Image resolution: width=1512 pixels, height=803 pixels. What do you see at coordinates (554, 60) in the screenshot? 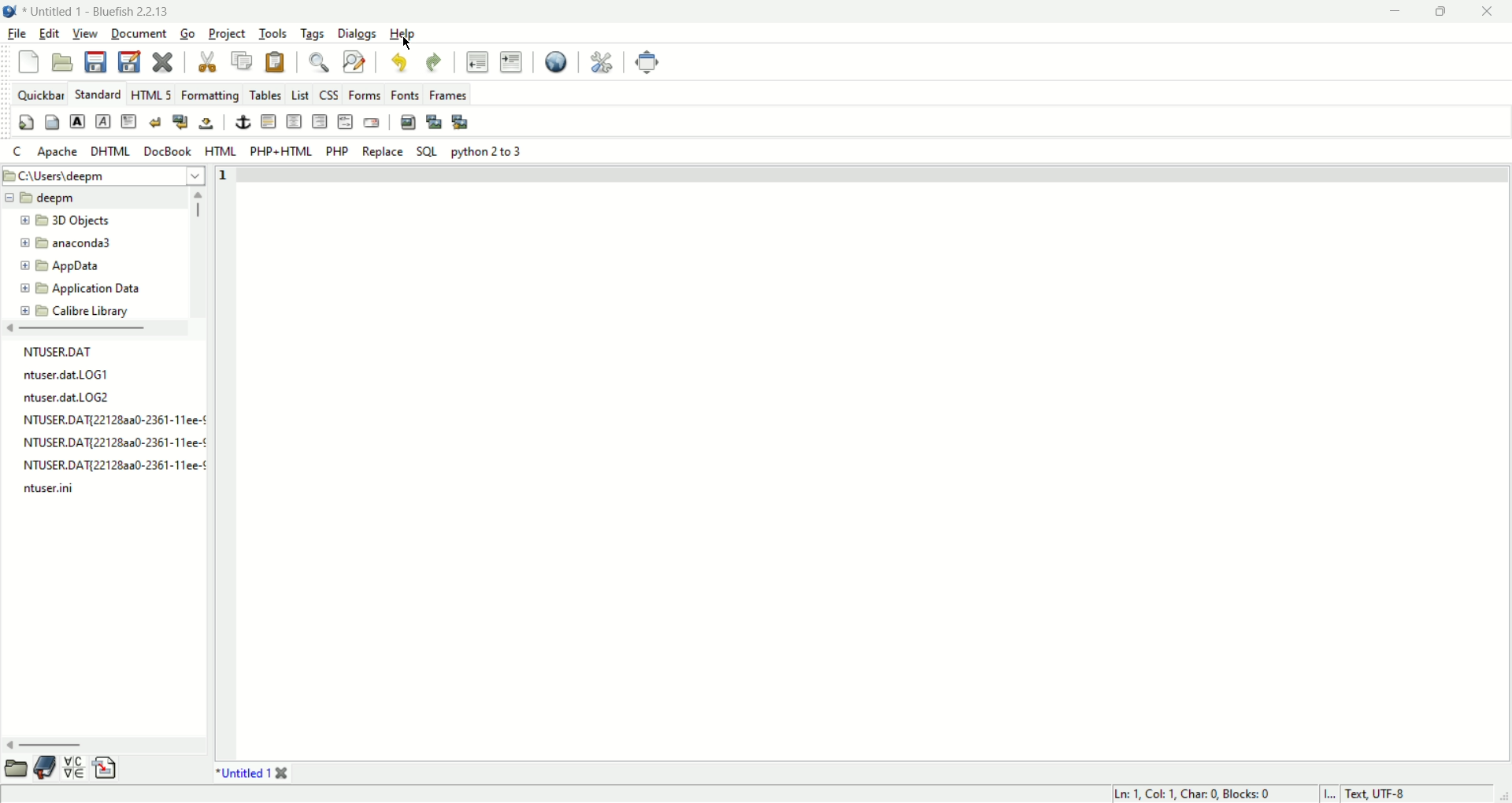
I see `view in browser` at bounding box center [554, 60].